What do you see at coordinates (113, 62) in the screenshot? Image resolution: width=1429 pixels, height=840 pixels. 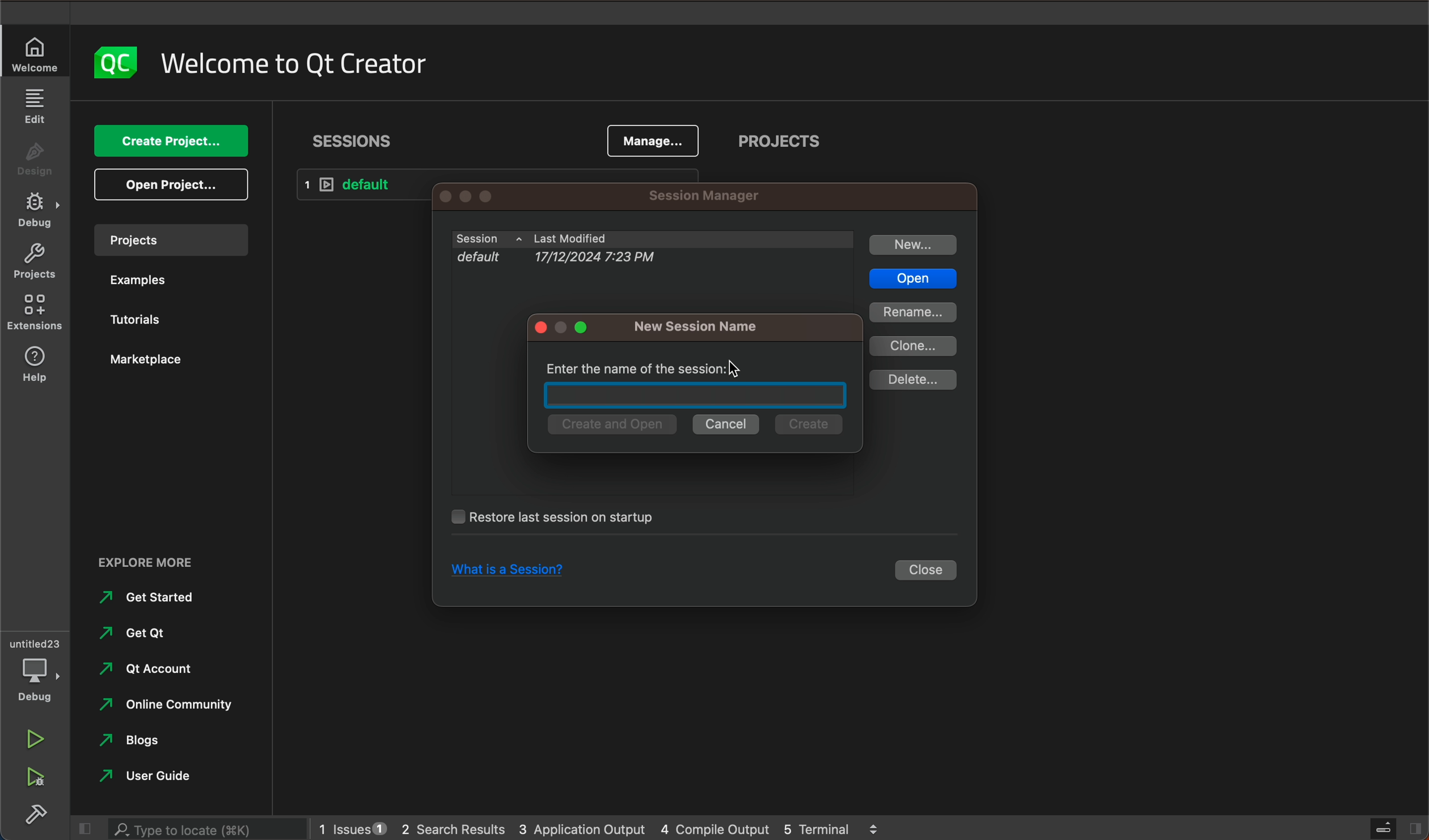 I see `logo` at bounding box center [113, 62].